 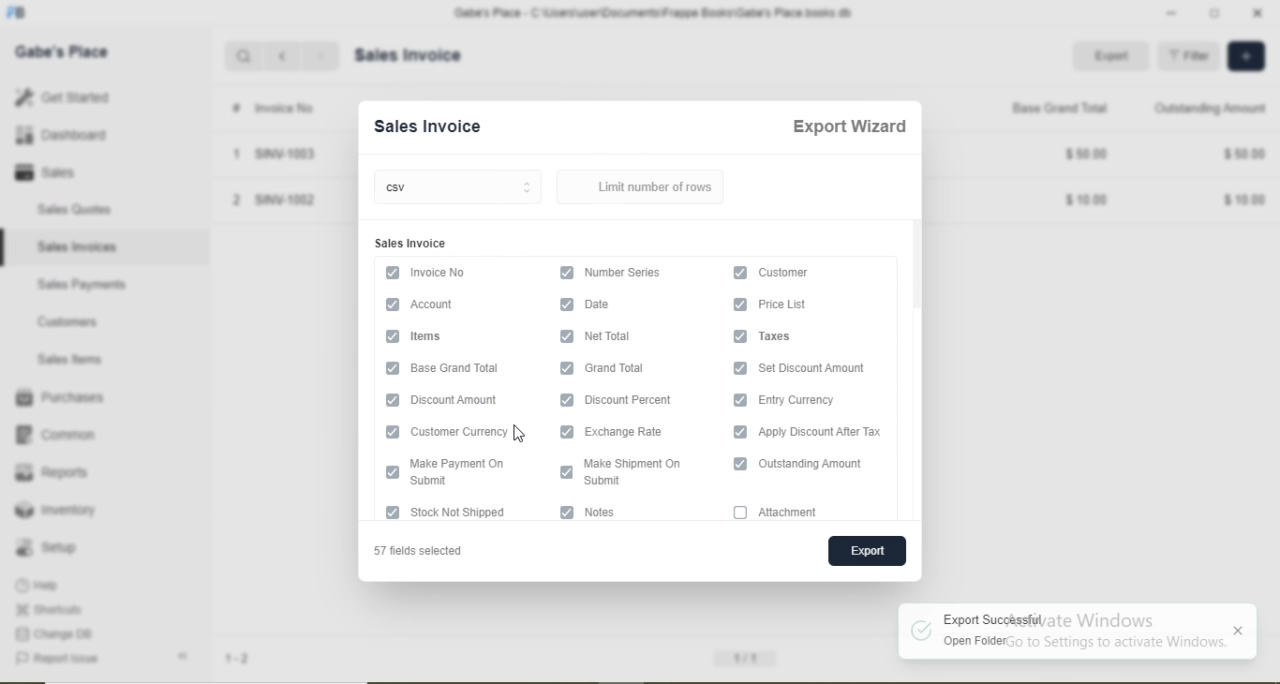 What do you see at coordinates (1087, 152) in the screenshot?
I see `$5000` at bounding box center [1087, 152].